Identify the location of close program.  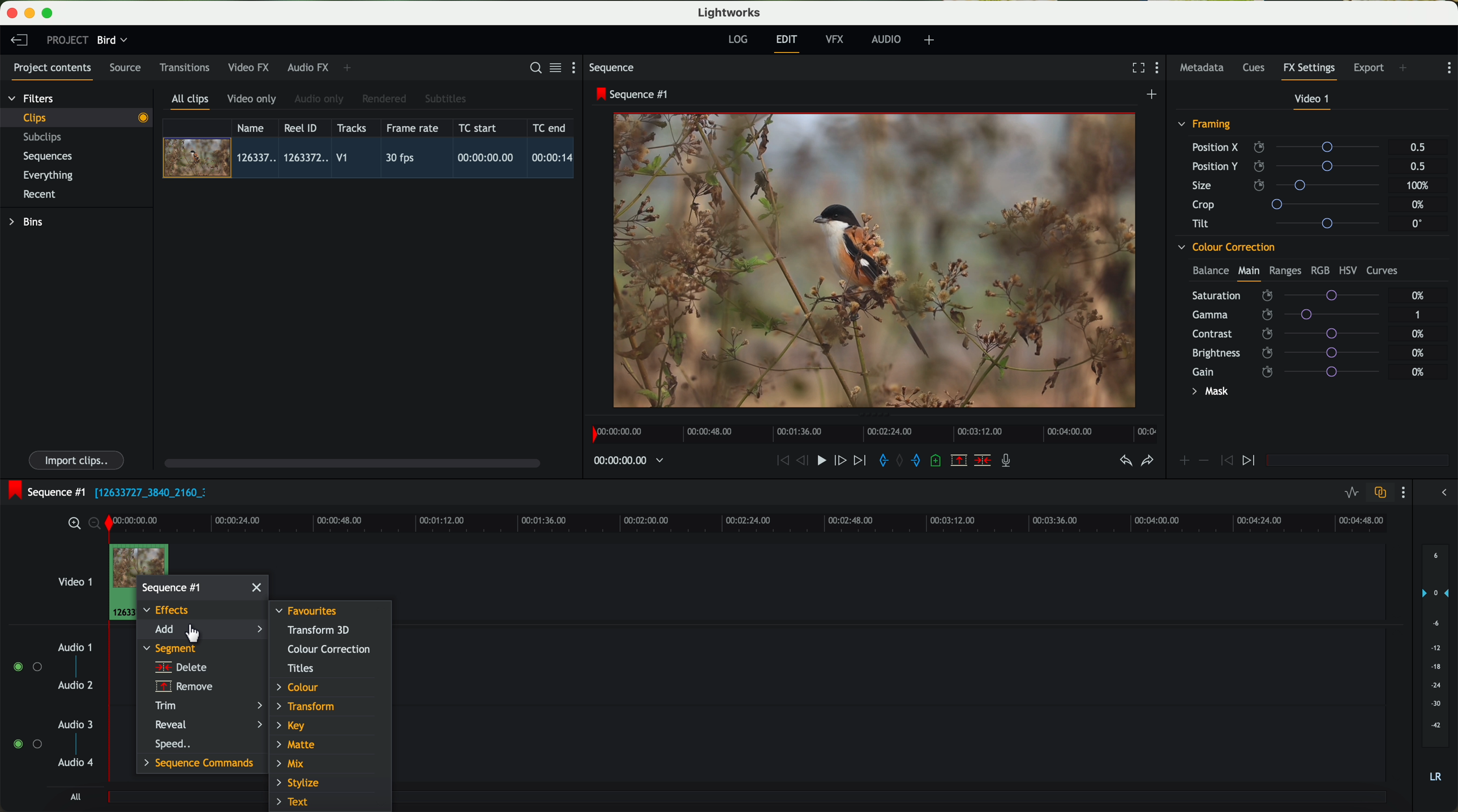
(12, 13).